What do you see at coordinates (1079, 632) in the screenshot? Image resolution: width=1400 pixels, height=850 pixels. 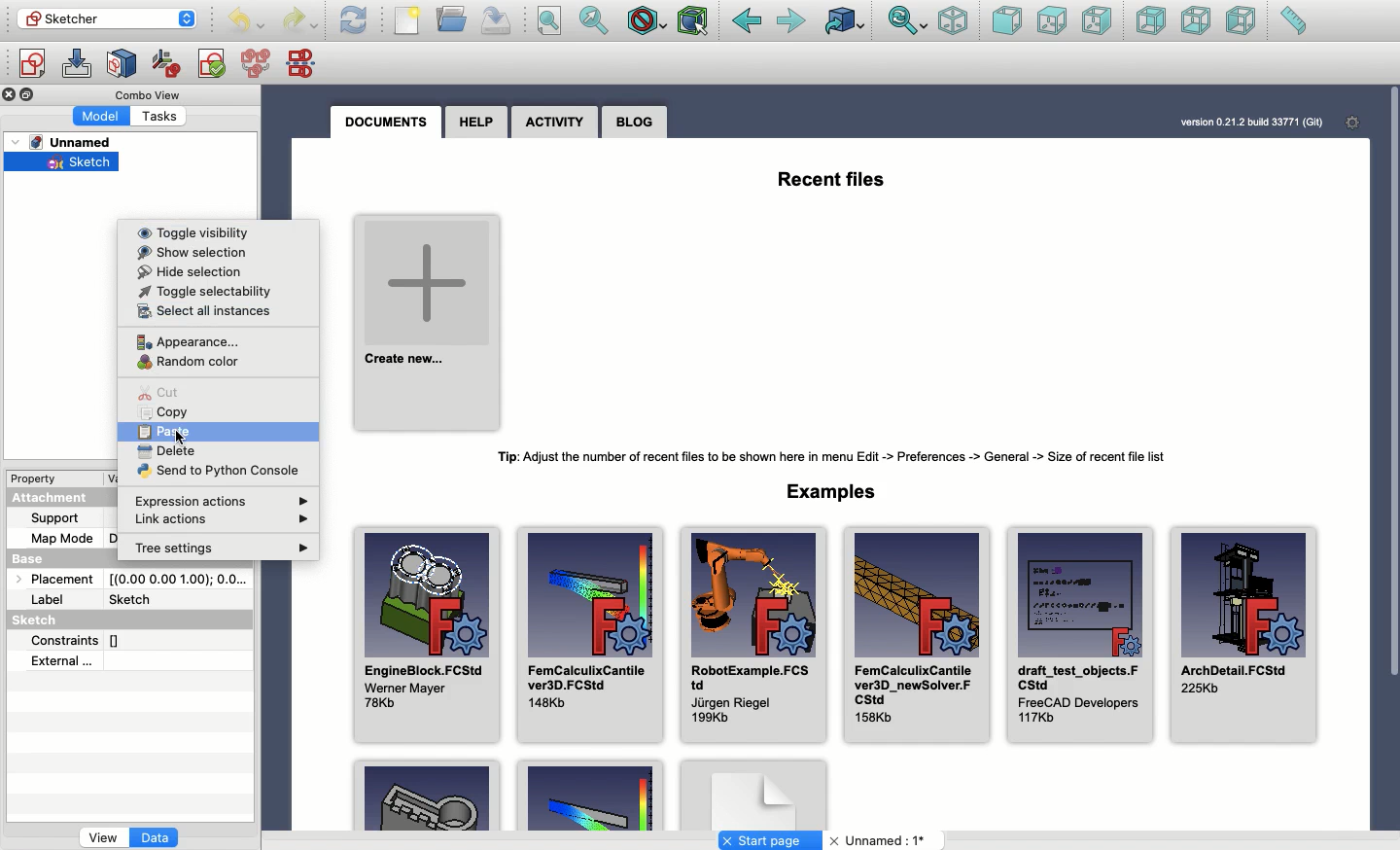 I see `draft_test_objects` at bounding box center [1079, 632].